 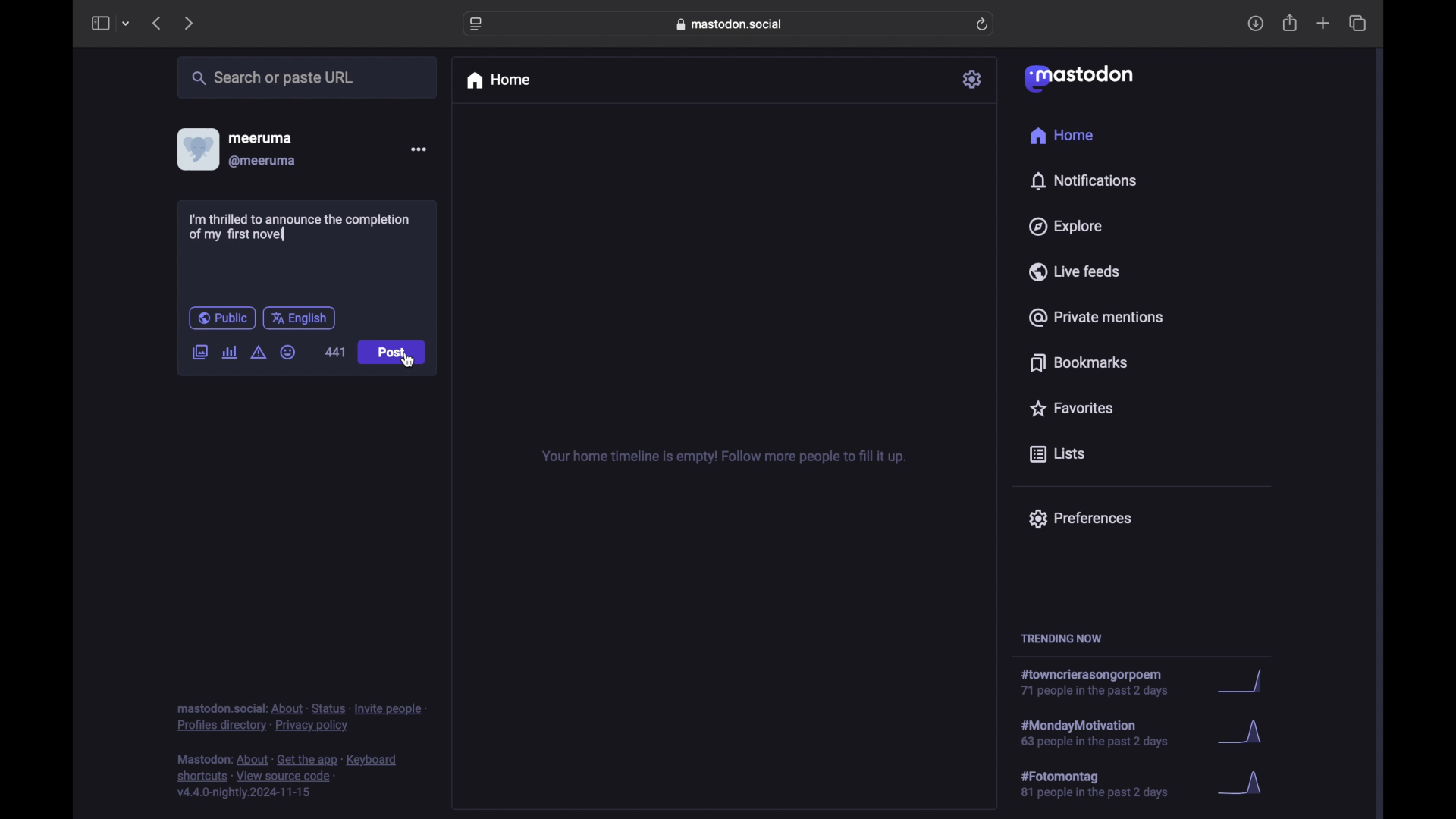 I want to click on share, so click(x=1291, y=23).